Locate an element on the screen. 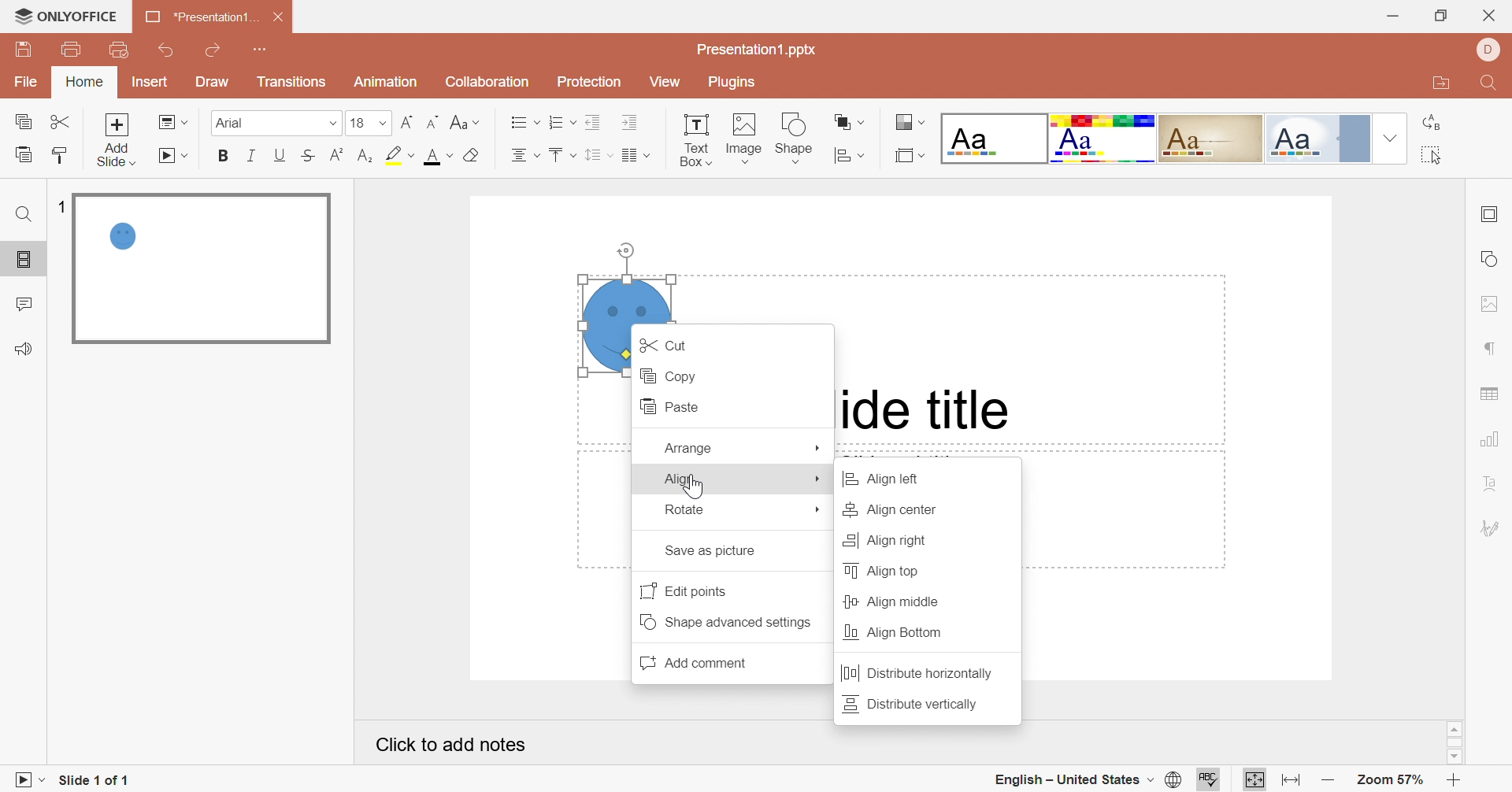  Subscript is located at coordinates (365, 156).